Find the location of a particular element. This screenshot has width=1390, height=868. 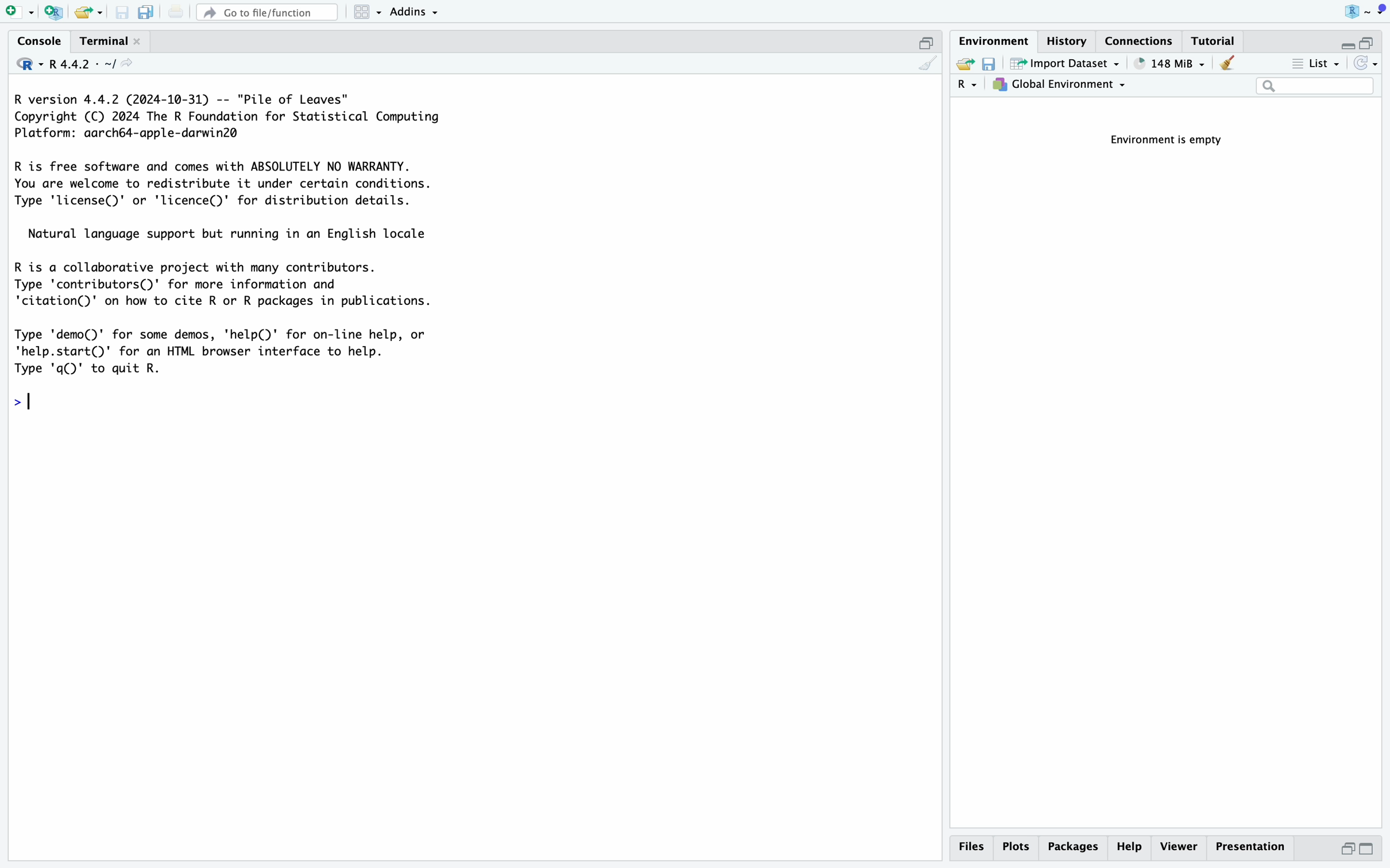

view the current working directory is located at coordinates (132, 65).